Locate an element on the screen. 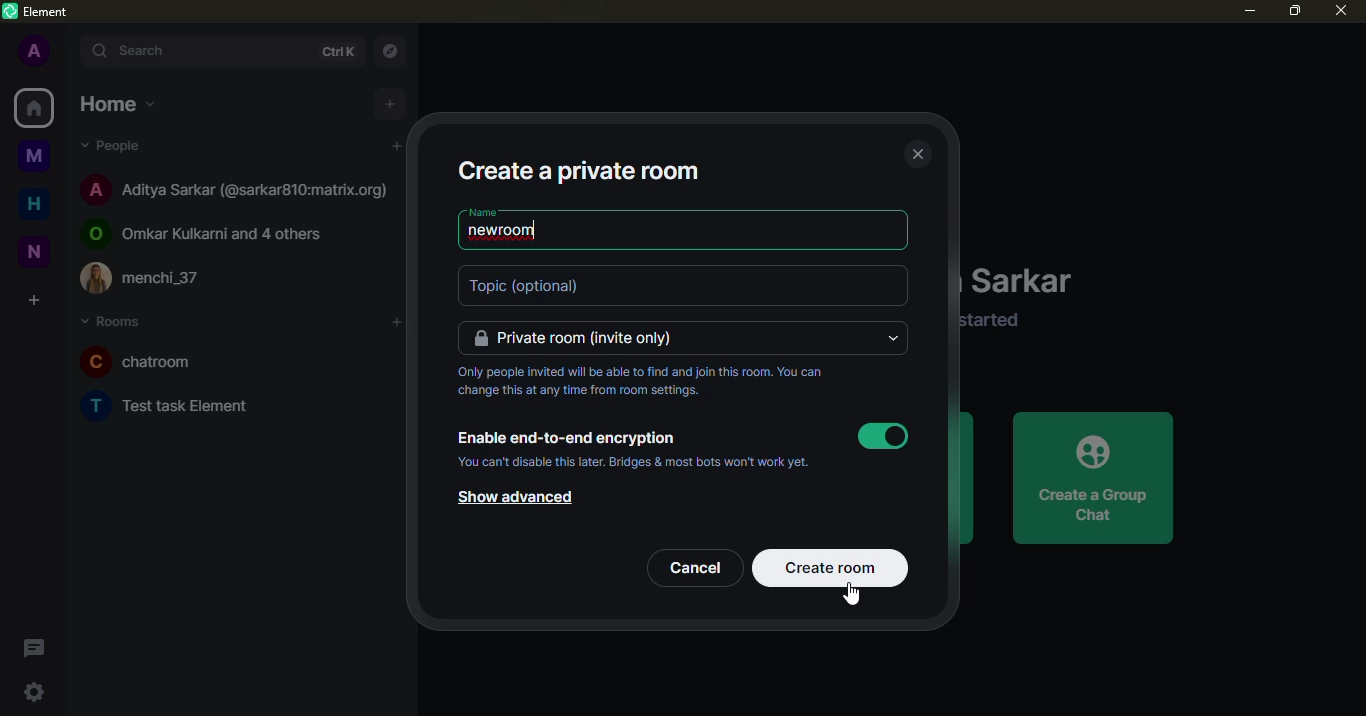 The height and width of the screenshot is (716, 1366). enabled is located at coordinates (883, 436).